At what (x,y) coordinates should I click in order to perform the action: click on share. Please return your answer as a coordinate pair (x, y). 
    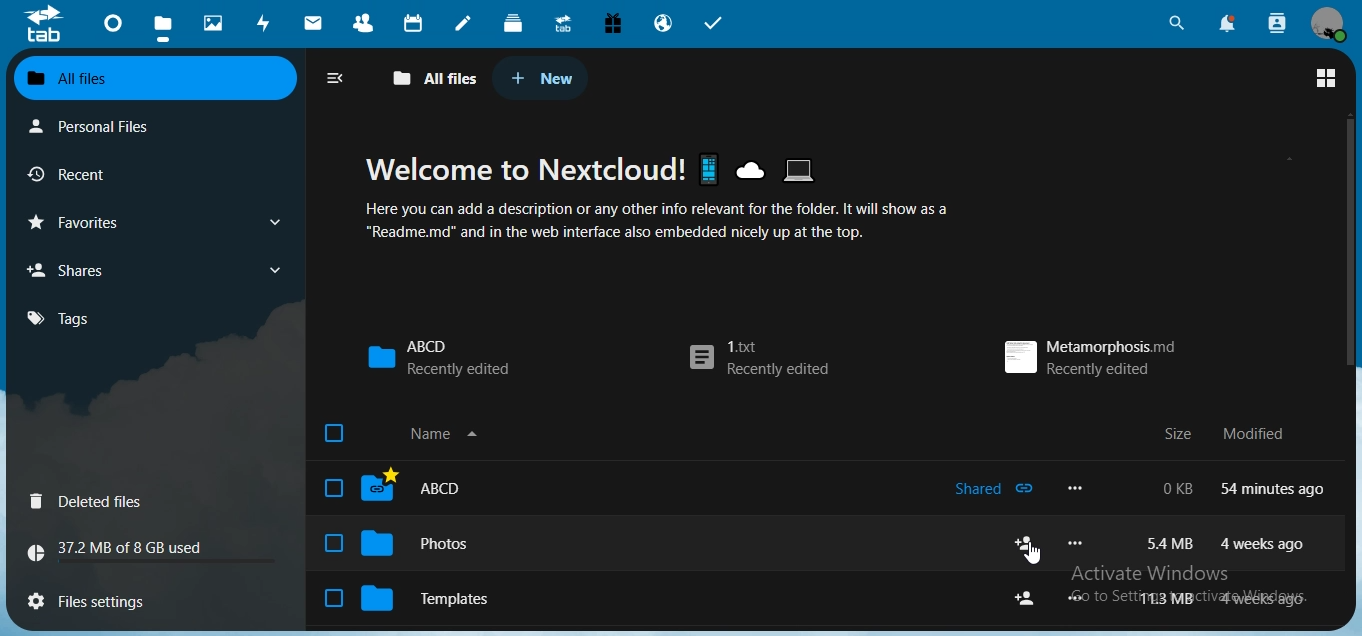
    Looking at the image, I should click on (1027, 599).